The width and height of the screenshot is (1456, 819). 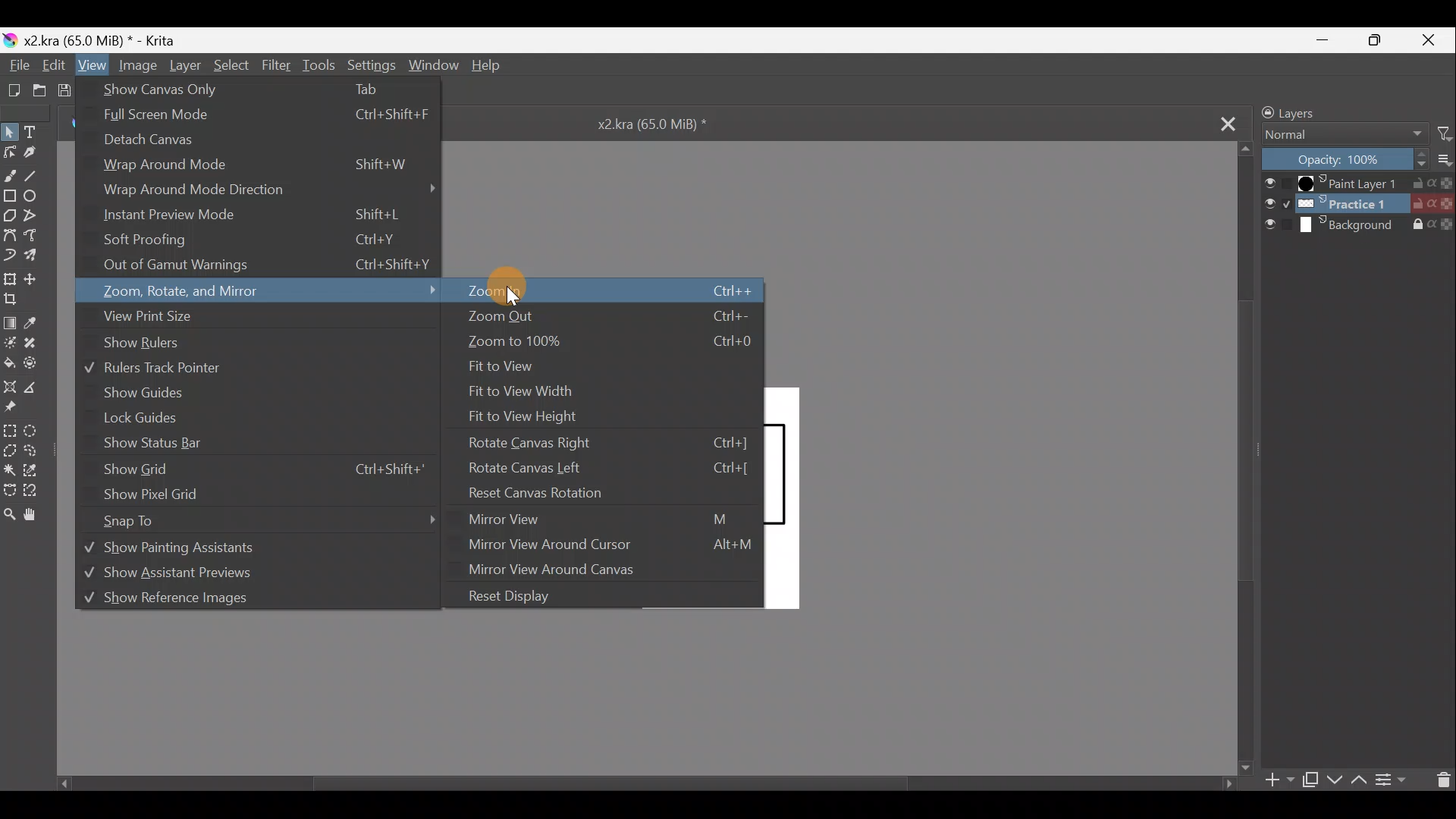 I want to click on Dynamic brush tool, so click(x=11, y=255).